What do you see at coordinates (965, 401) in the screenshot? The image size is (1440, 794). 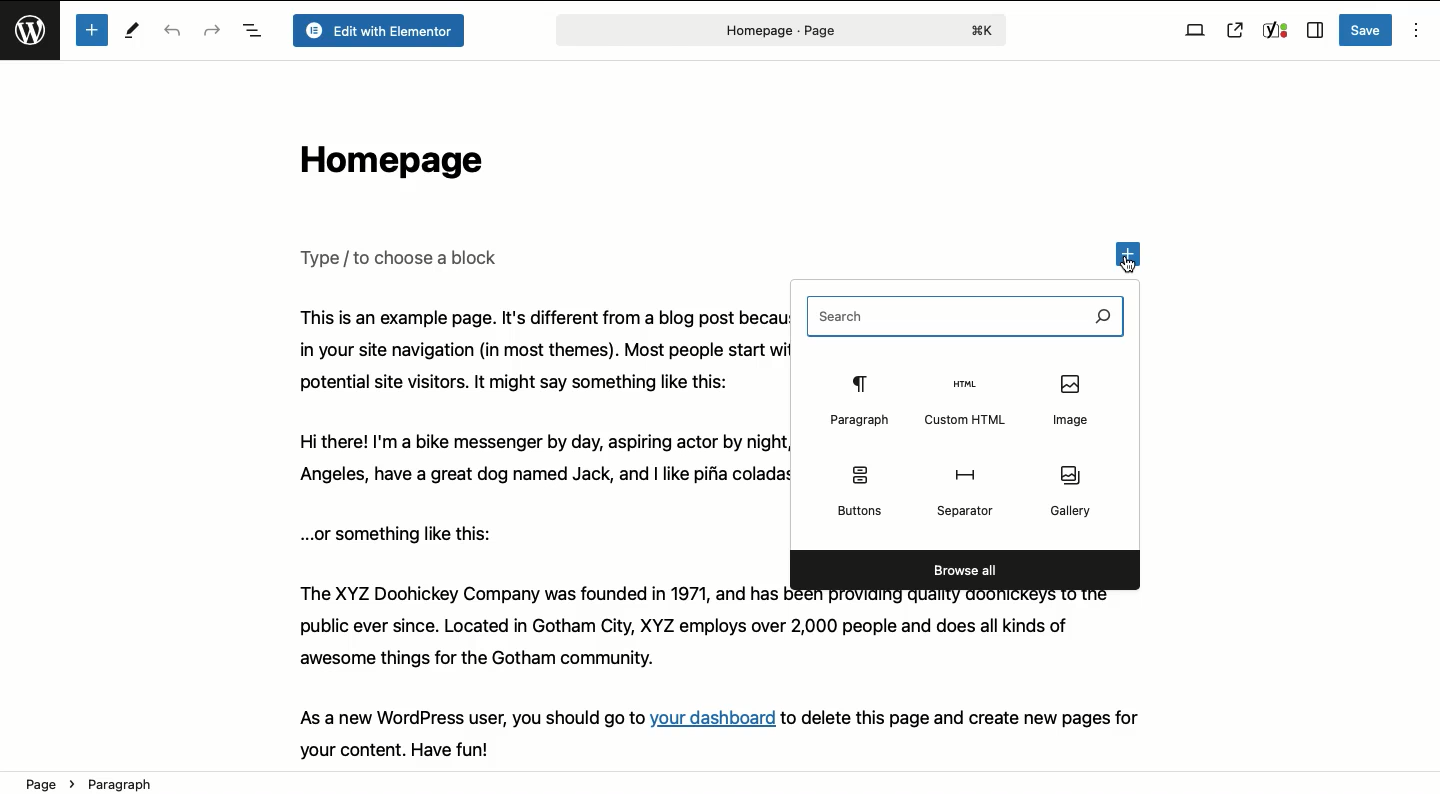 I see `Custom HTML` at bounding box center [965, 401].